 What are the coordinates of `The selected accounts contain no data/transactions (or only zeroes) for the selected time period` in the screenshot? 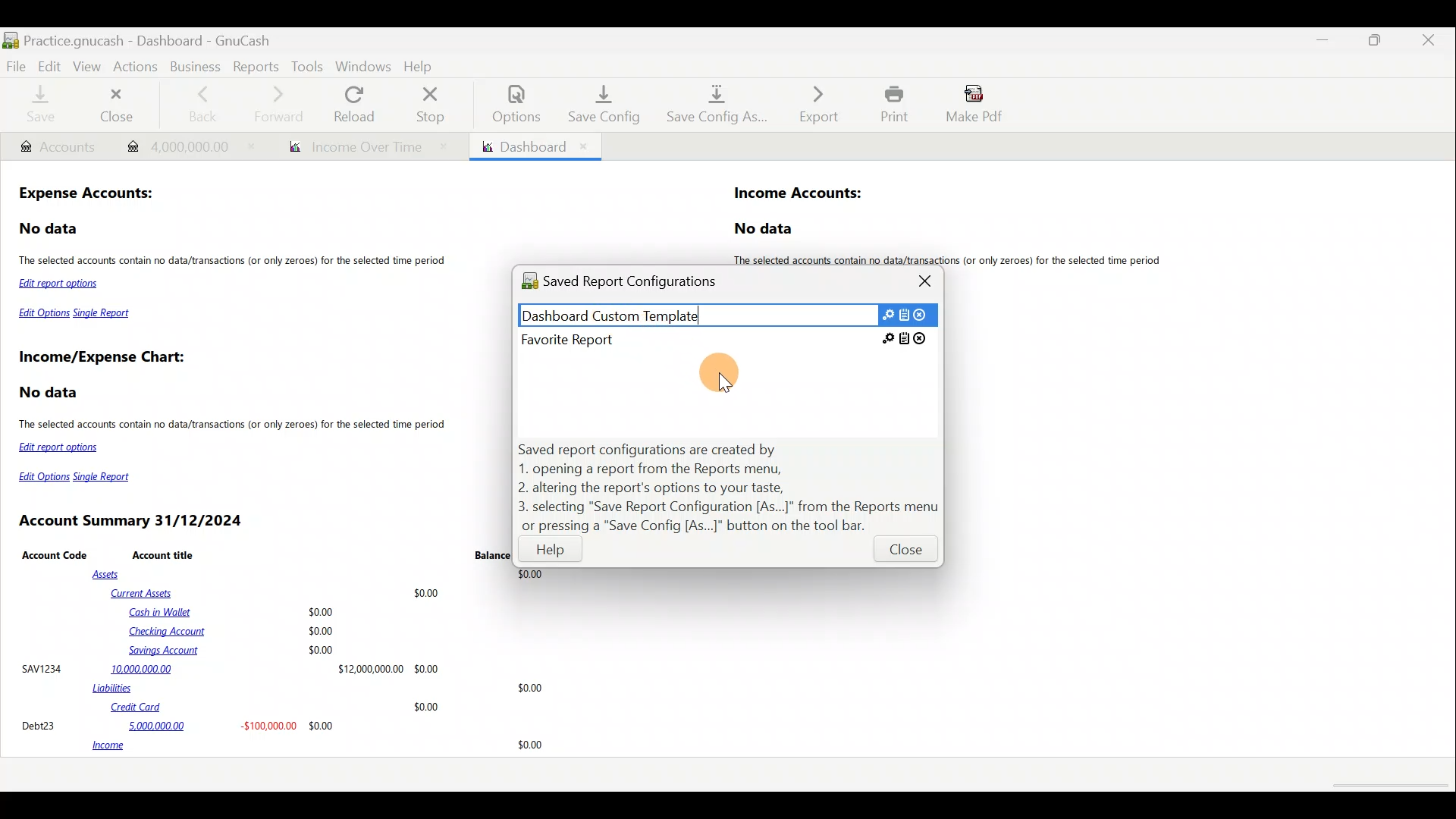 It's located at (954, 260).